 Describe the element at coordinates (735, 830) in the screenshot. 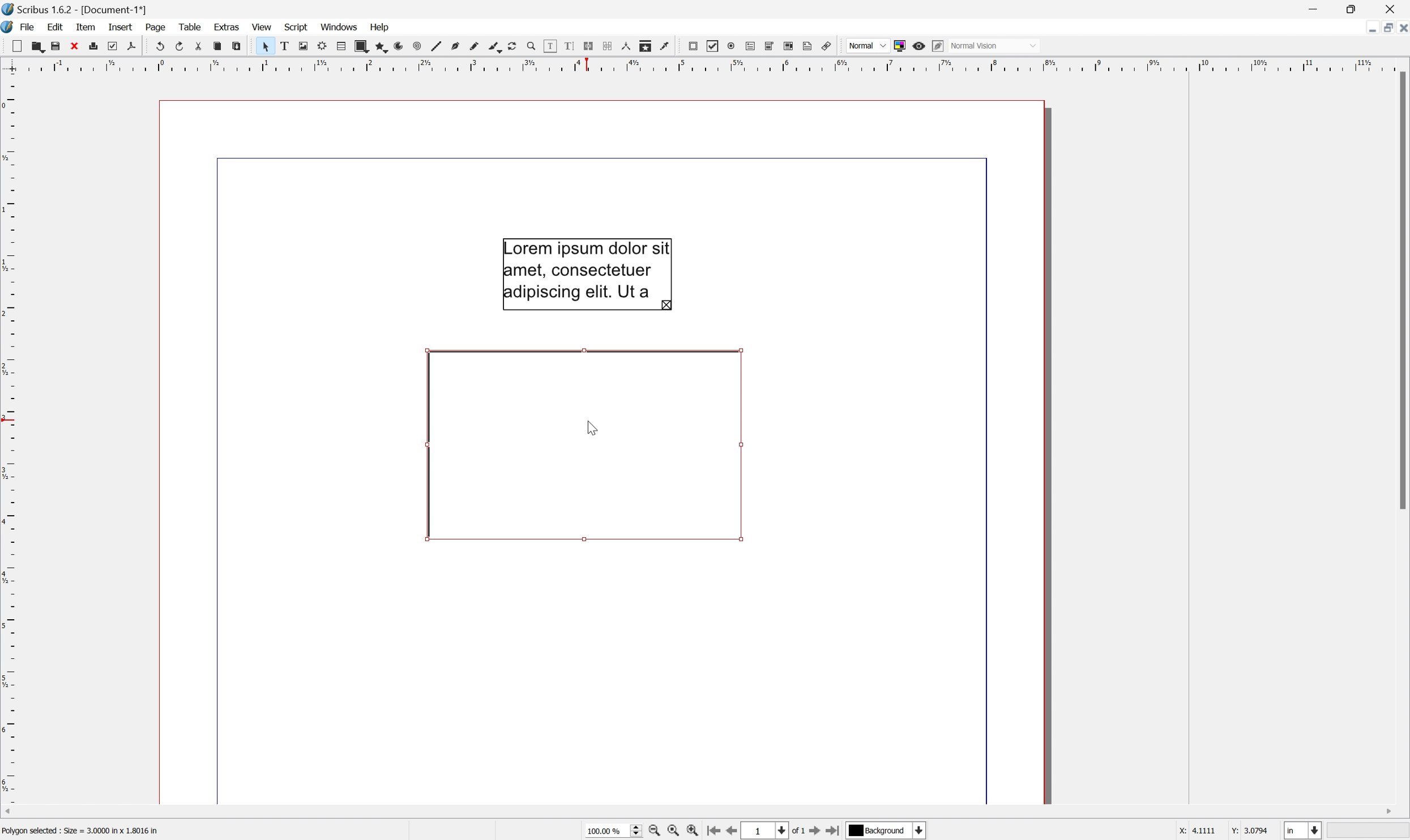

I see `Go to the previous page` at that location.